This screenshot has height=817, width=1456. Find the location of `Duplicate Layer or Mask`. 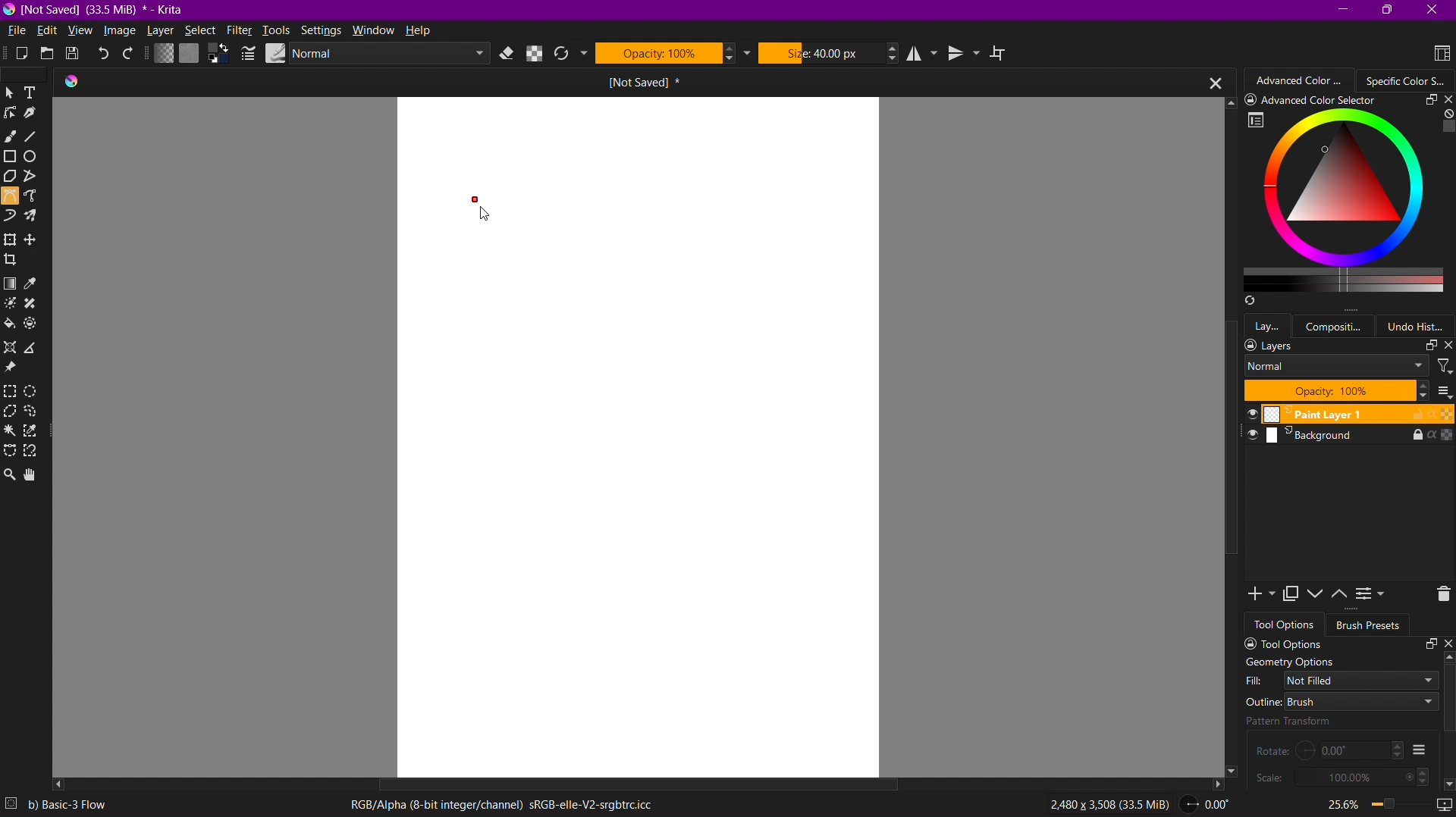

Duplicate Layer or Mask is located at coordinates (1293, 595).